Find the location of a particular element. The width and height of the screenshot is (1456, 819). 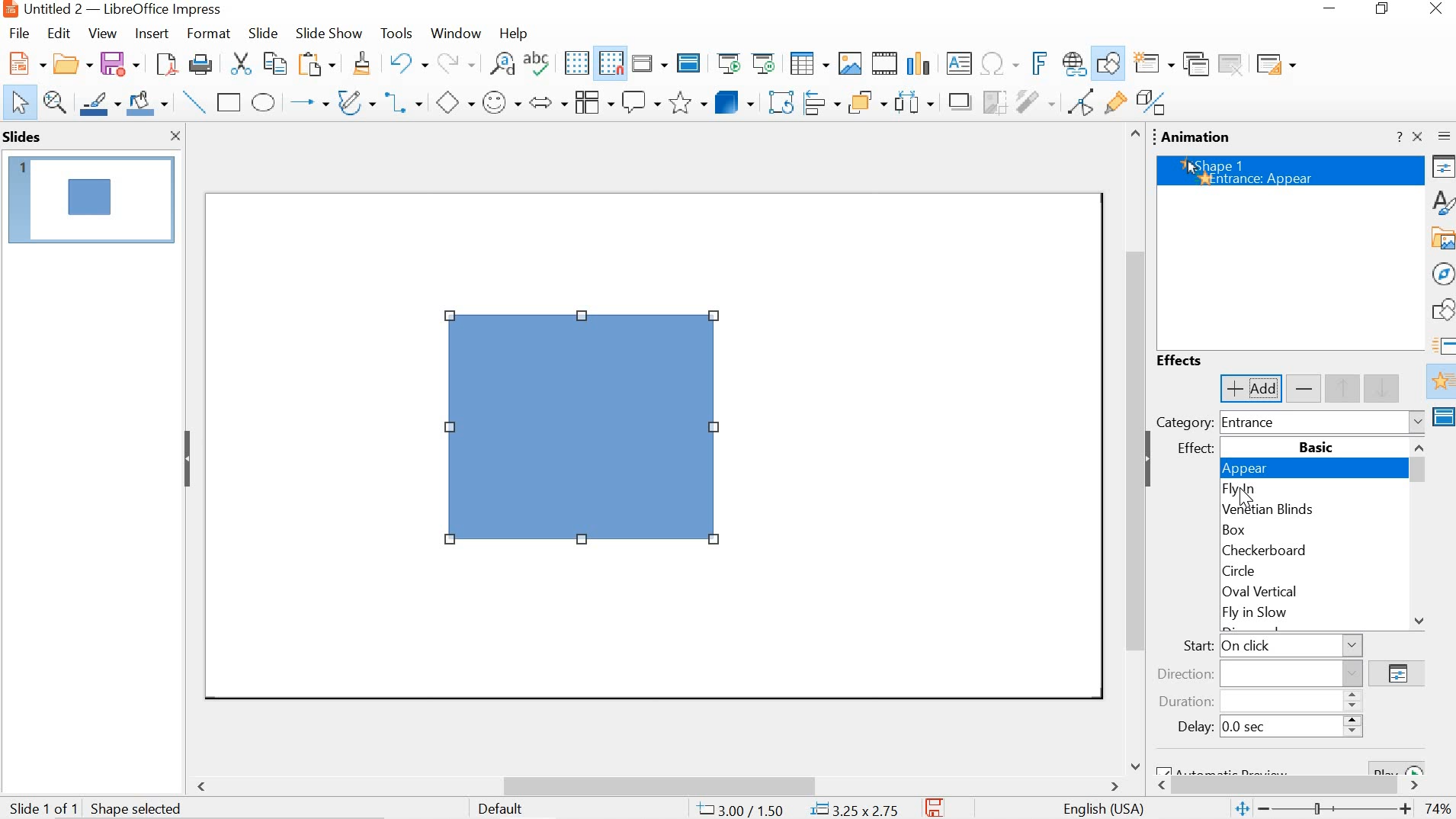

start from first slide is located at coordinates (731, 65).